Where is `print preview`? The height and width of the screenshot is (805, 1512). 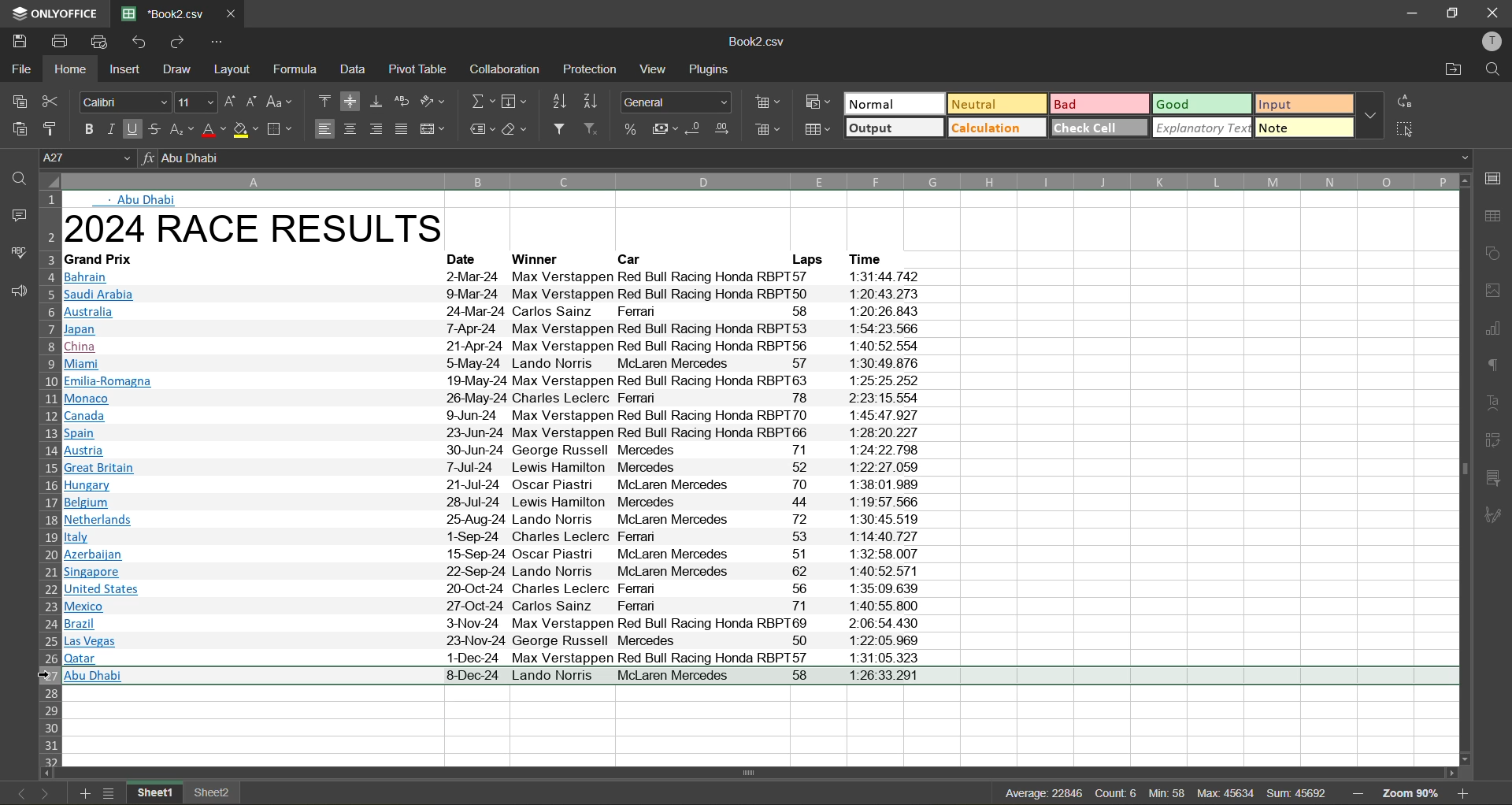 print preview is located at coordinates (102, 42).